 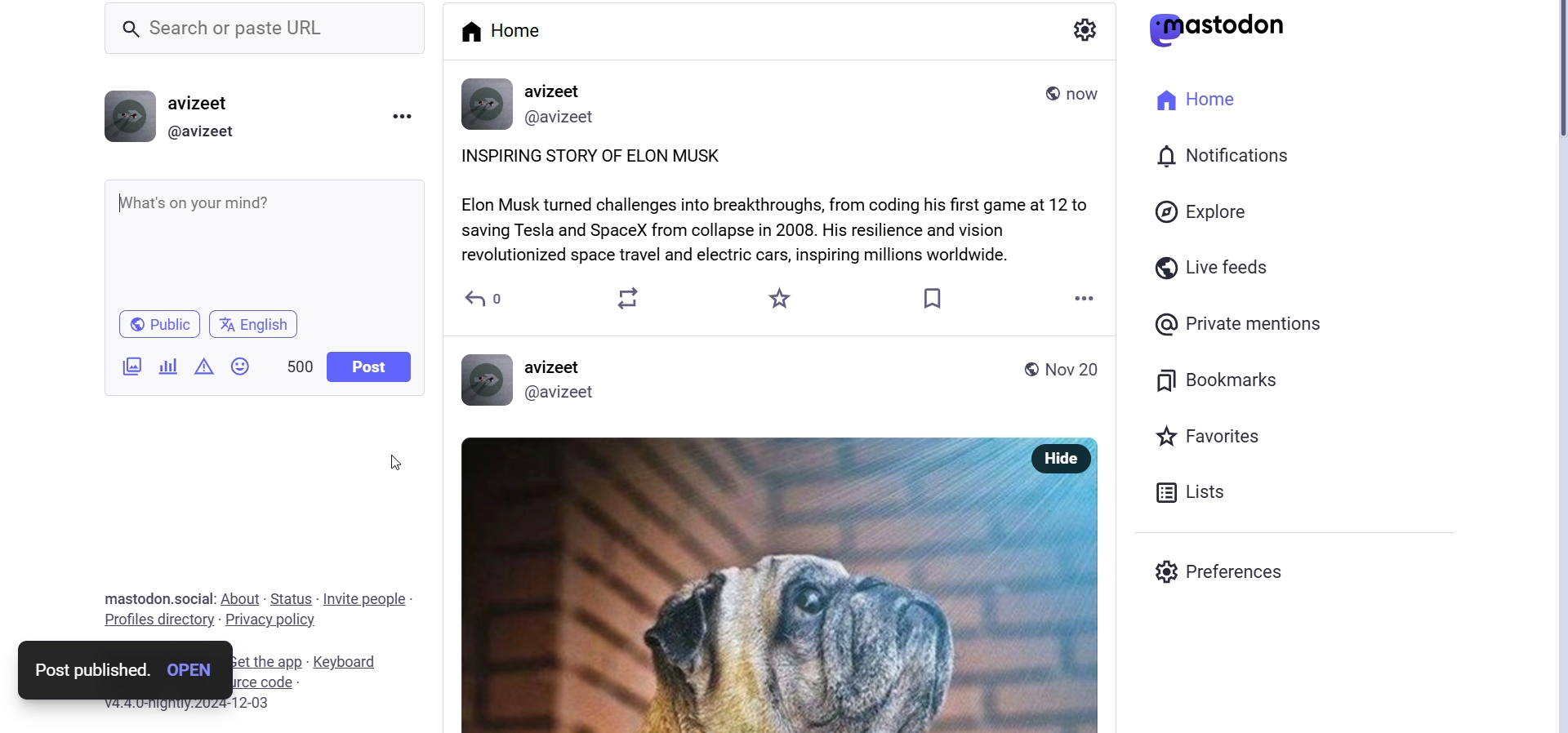 What do you see at coordinates (631, 299) in the screenshot?
I see `boost` at bounding box center [631, 299].